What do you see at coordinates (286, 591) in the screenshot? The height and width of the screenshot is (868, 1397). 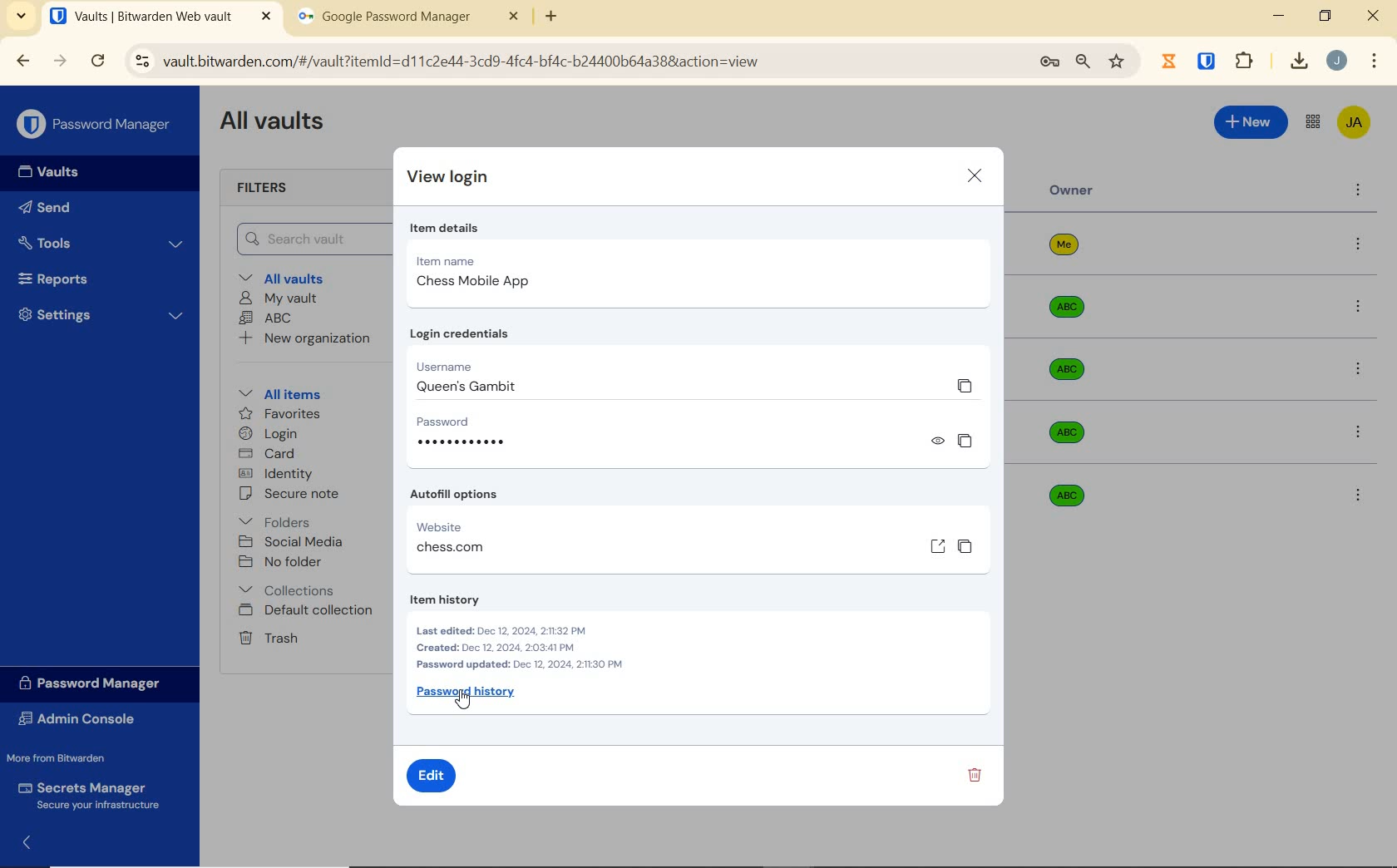 I see `collections` at bounding box center [286, 591].